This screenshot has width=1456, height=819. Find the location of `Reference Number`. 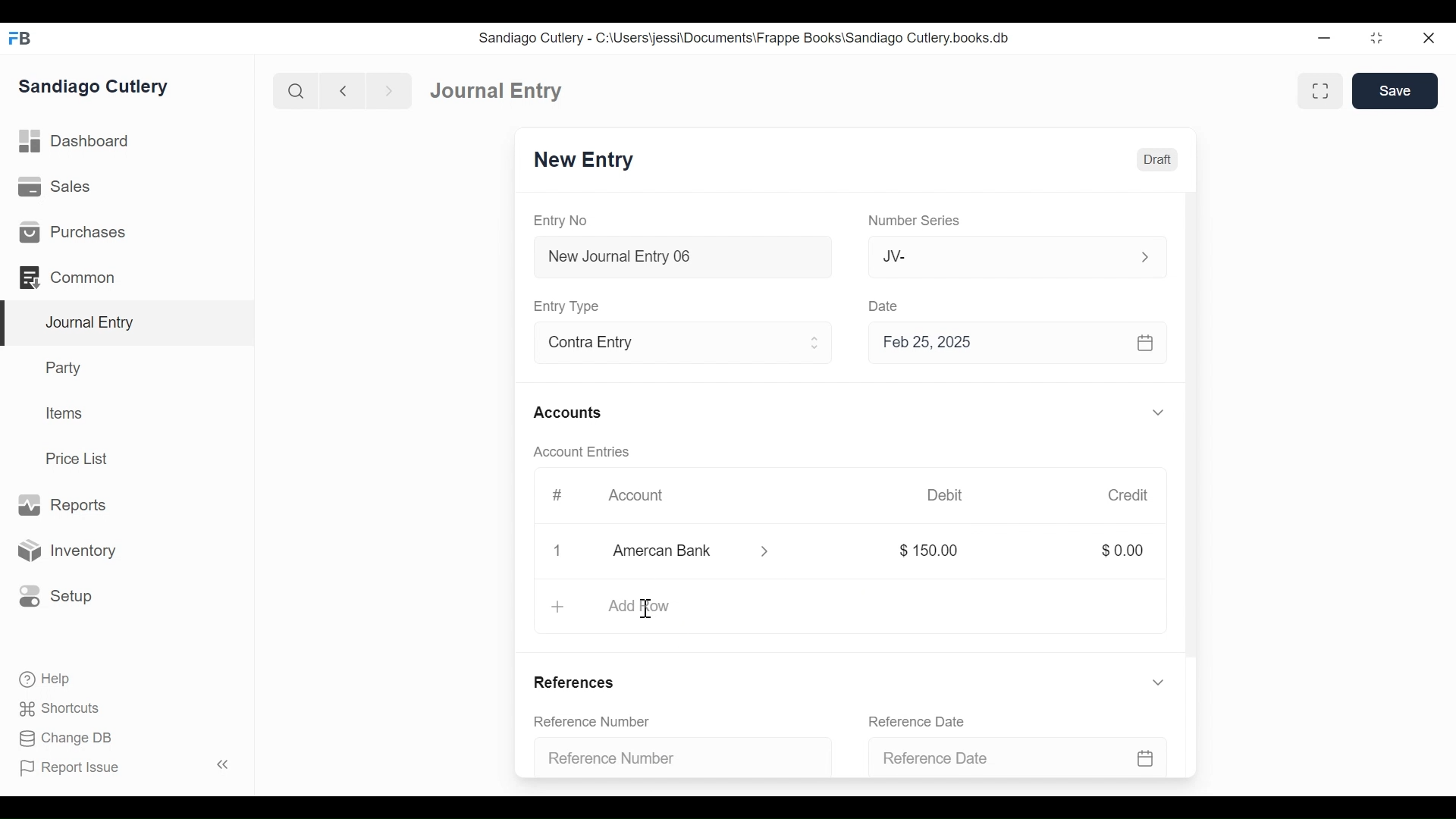

Reference Number is located at coordinates (676, 755).